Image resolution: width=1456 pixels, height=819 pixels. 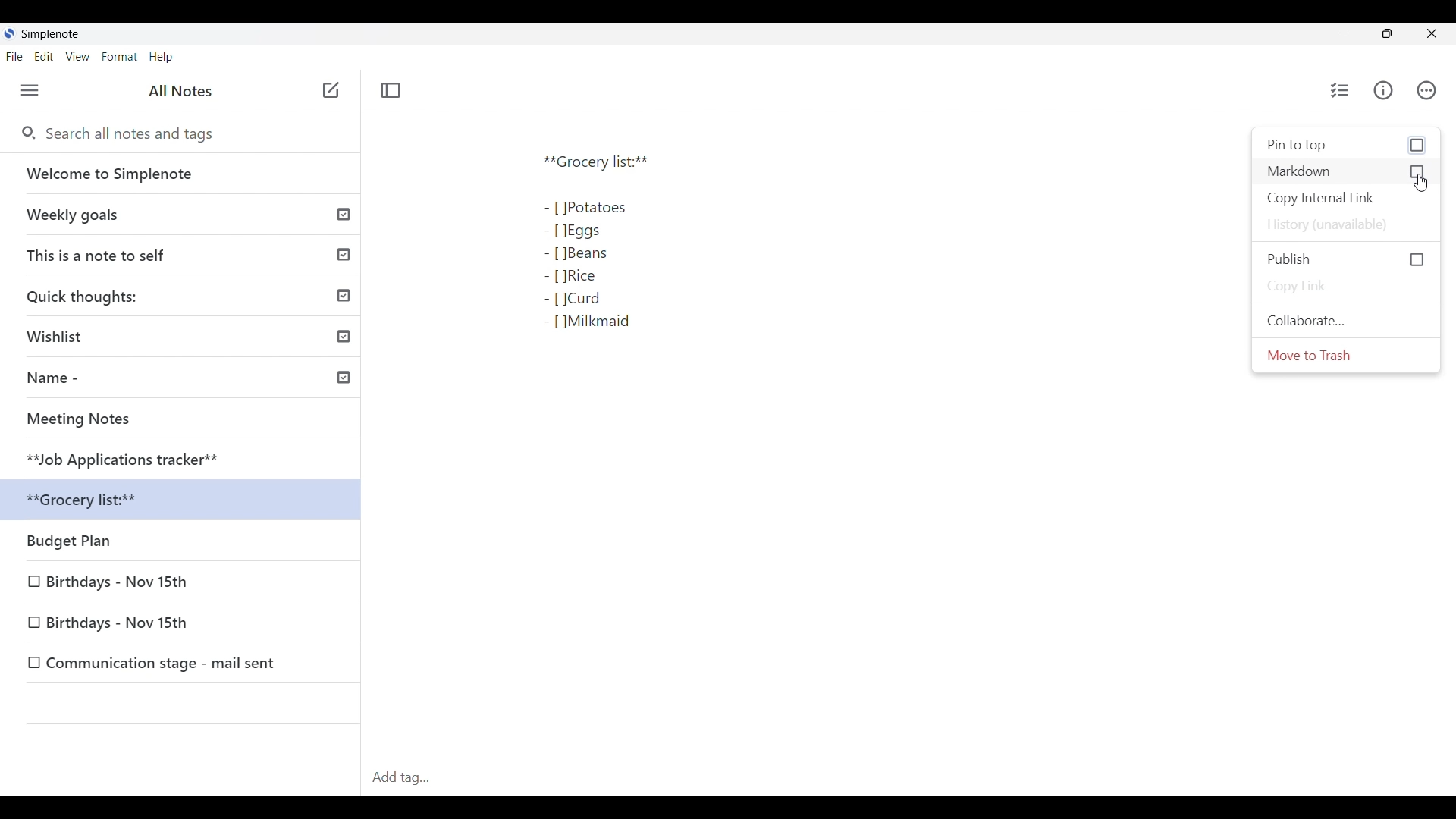 I want to click on Toggle focus mode, so click(x=391, y=90).